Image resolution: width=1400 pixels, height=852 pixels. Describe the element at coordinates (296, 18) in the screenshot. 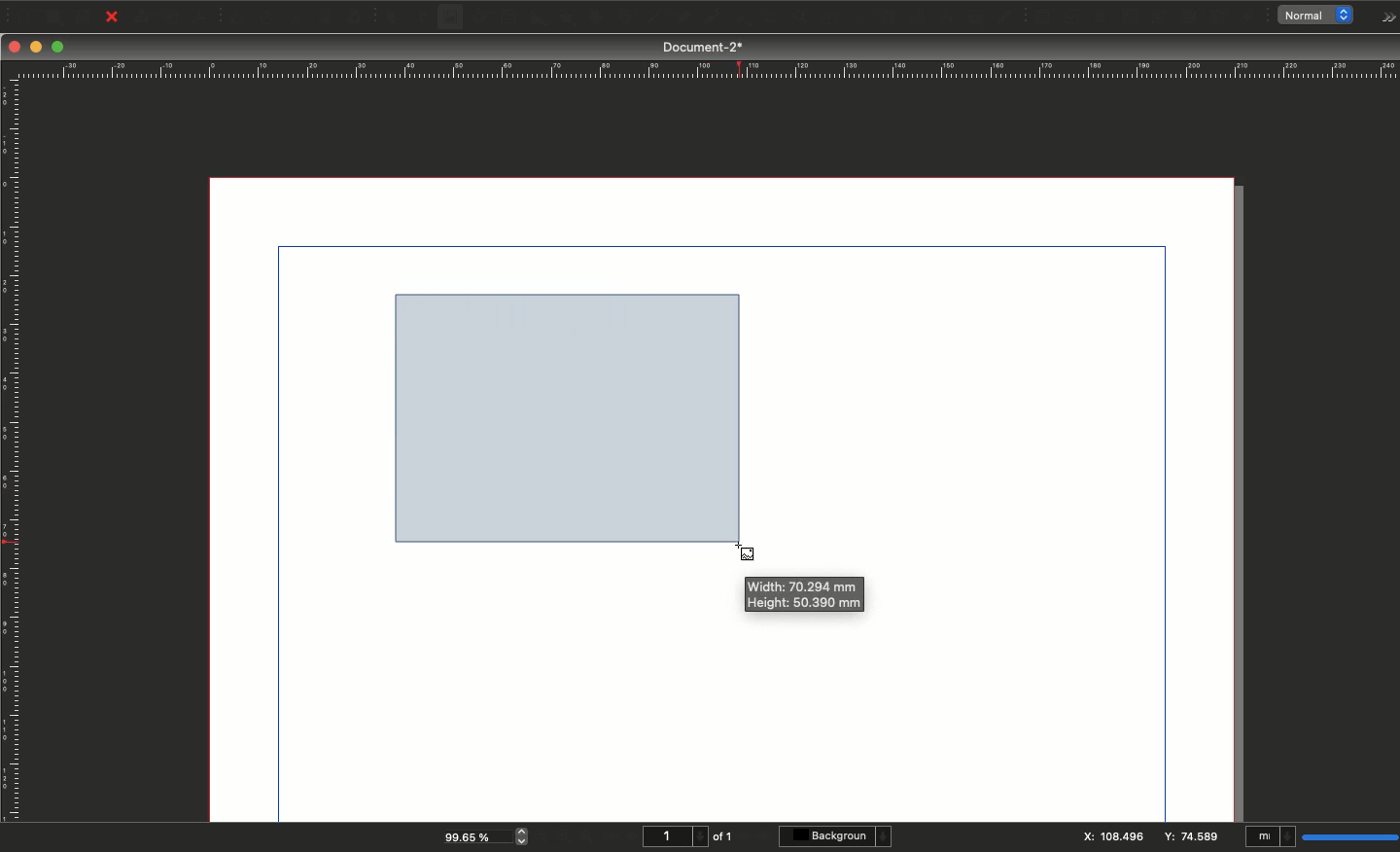

I see `Cut` at that location.